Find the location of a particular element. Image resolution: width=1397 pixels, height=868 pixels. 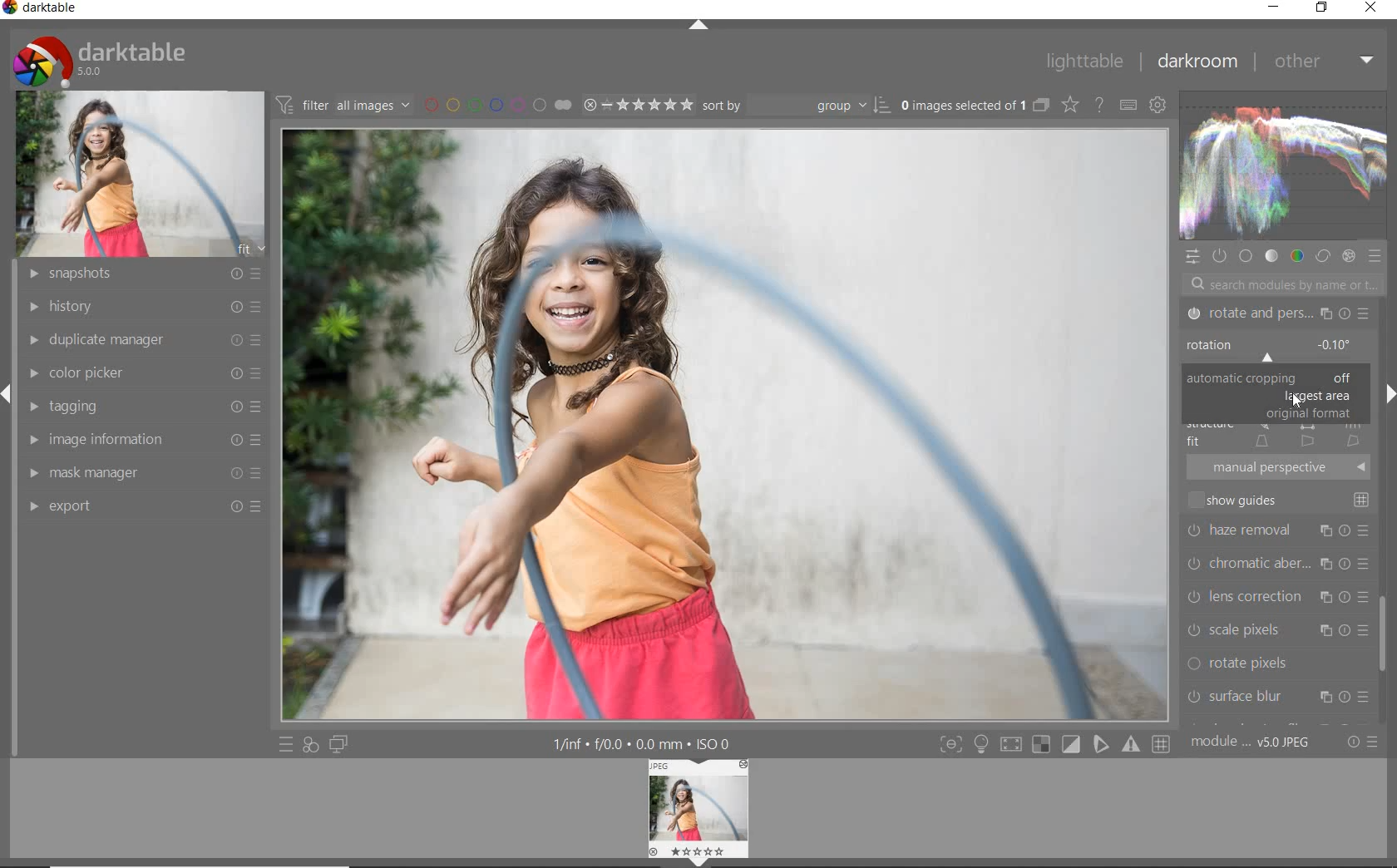

tagging is located at coordinates (144, 406).